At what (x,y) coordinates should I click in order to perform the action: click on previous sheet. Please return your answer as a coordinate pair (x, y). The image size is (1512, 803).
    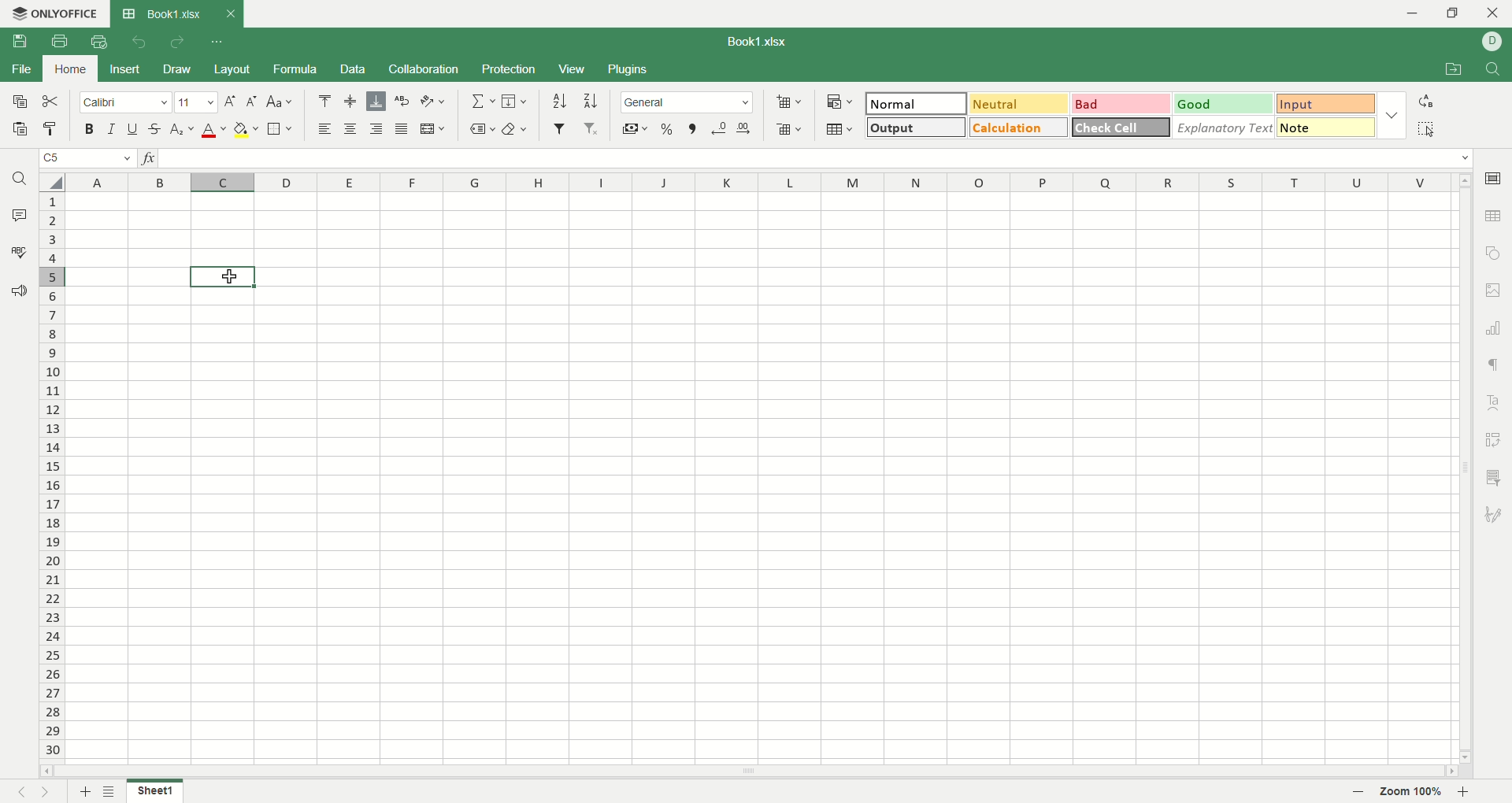
    Looking at the image, I should click on (15, 794).